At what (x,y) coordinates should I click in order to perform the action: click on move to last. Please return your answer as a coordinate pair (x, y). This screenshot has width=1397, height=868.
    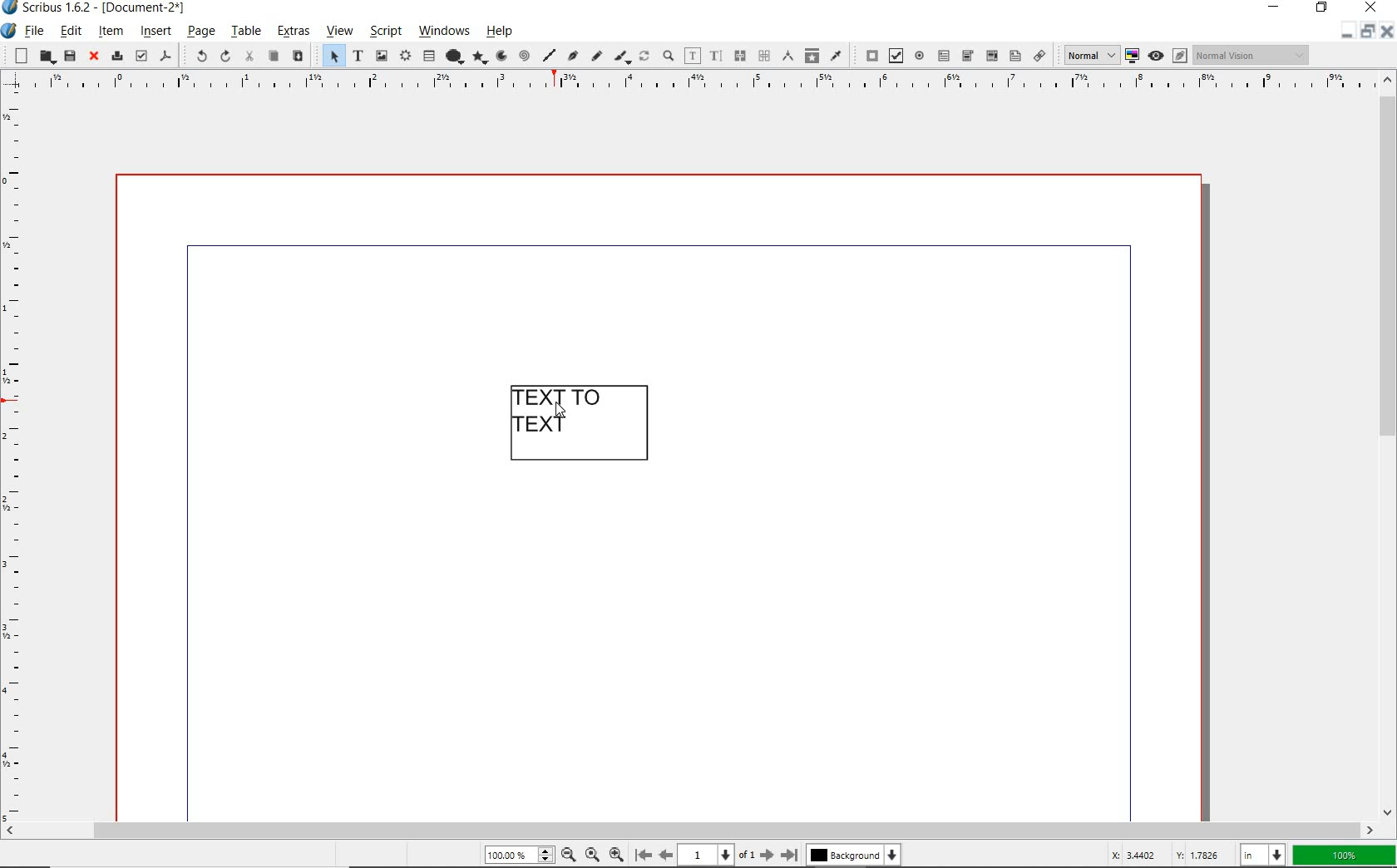
    Looking at the image, I should click on (792, 856).